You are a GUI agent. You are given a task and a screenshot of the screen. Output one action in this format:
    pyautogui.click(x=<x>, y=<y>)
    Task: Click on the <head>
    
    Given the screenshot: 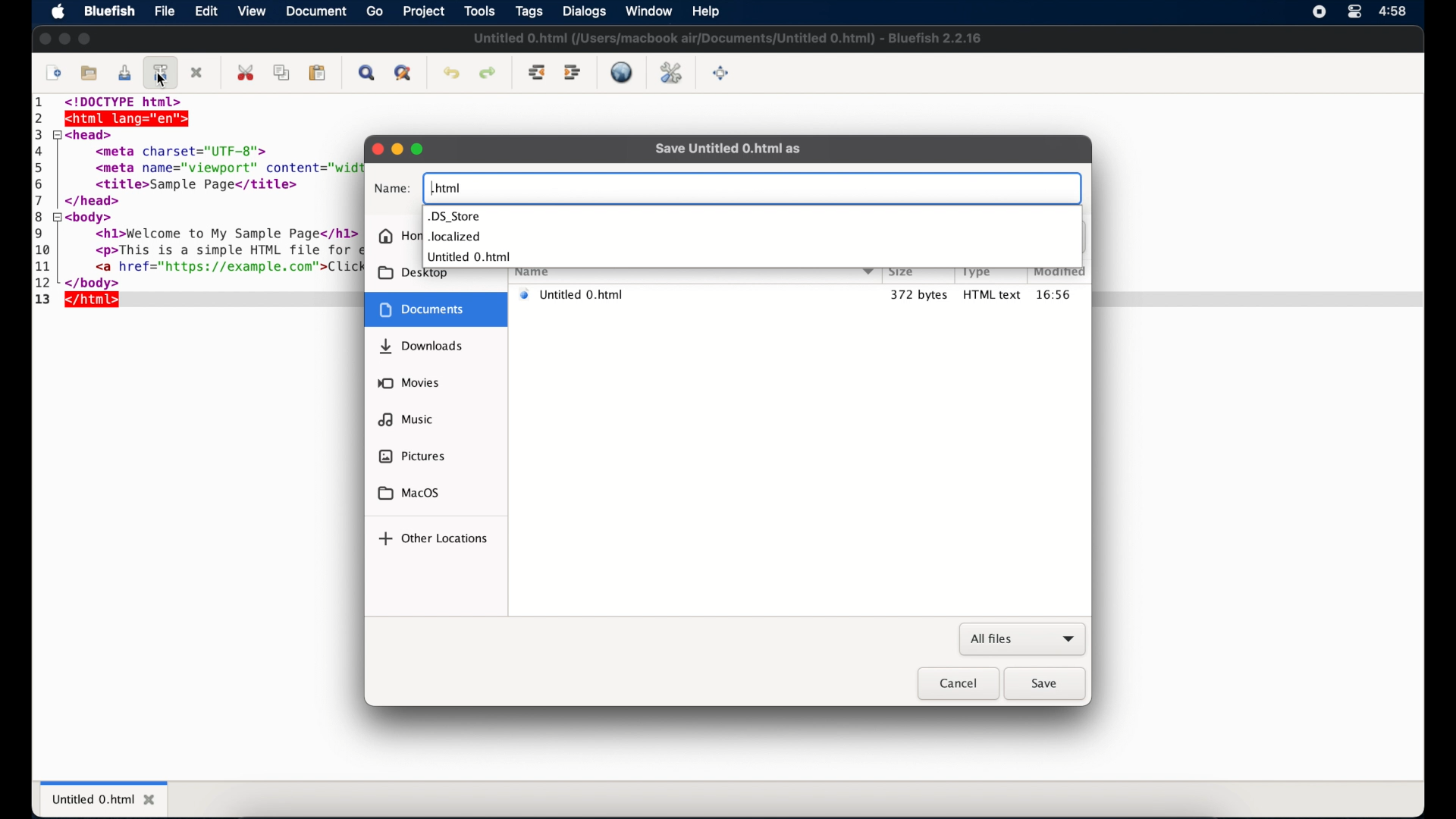 What is the action you would take?
    pyautogui.click(x=93, y=134)
    